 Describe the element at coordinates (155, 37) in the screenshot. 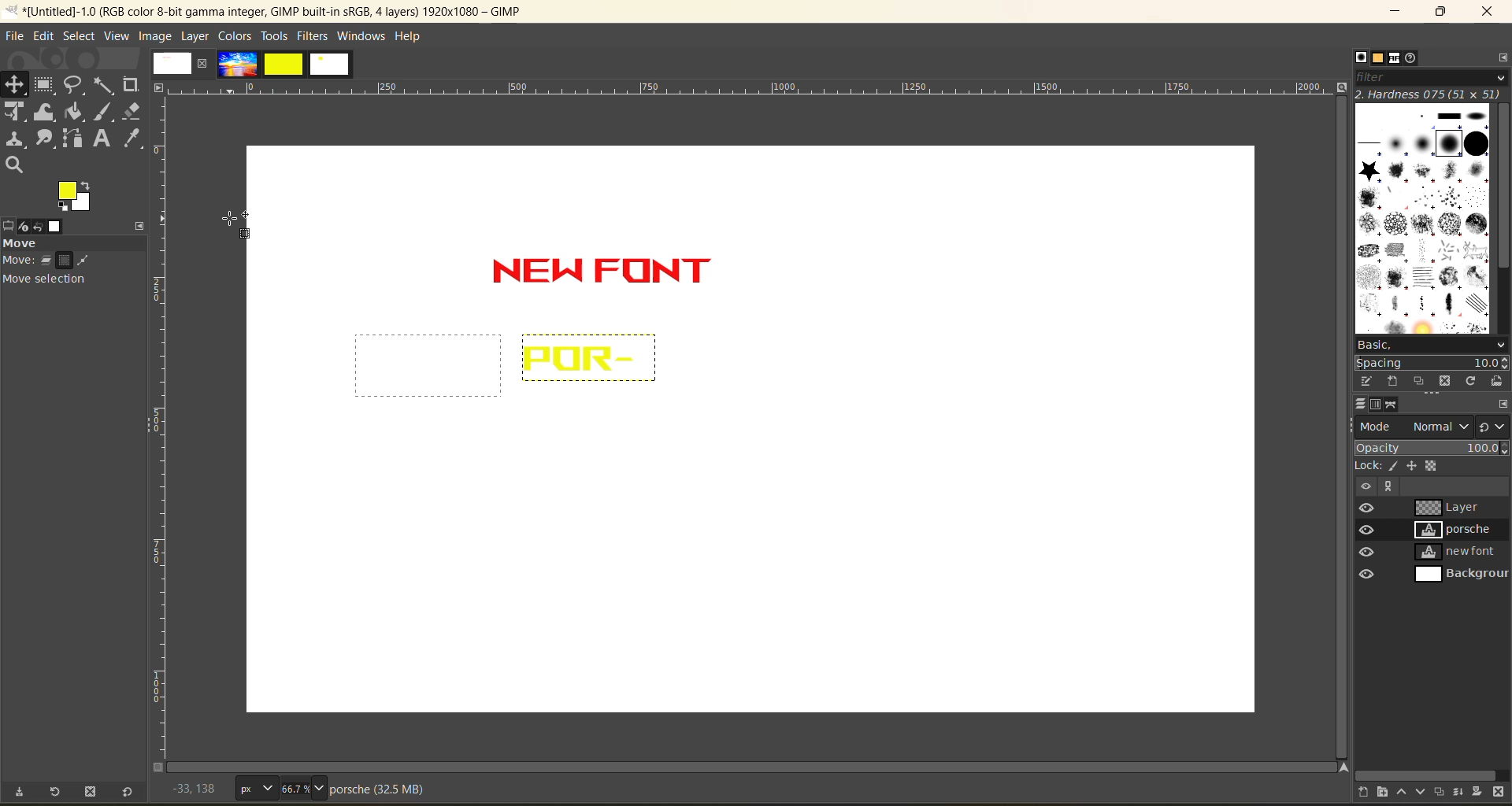

I see `image` at that location.